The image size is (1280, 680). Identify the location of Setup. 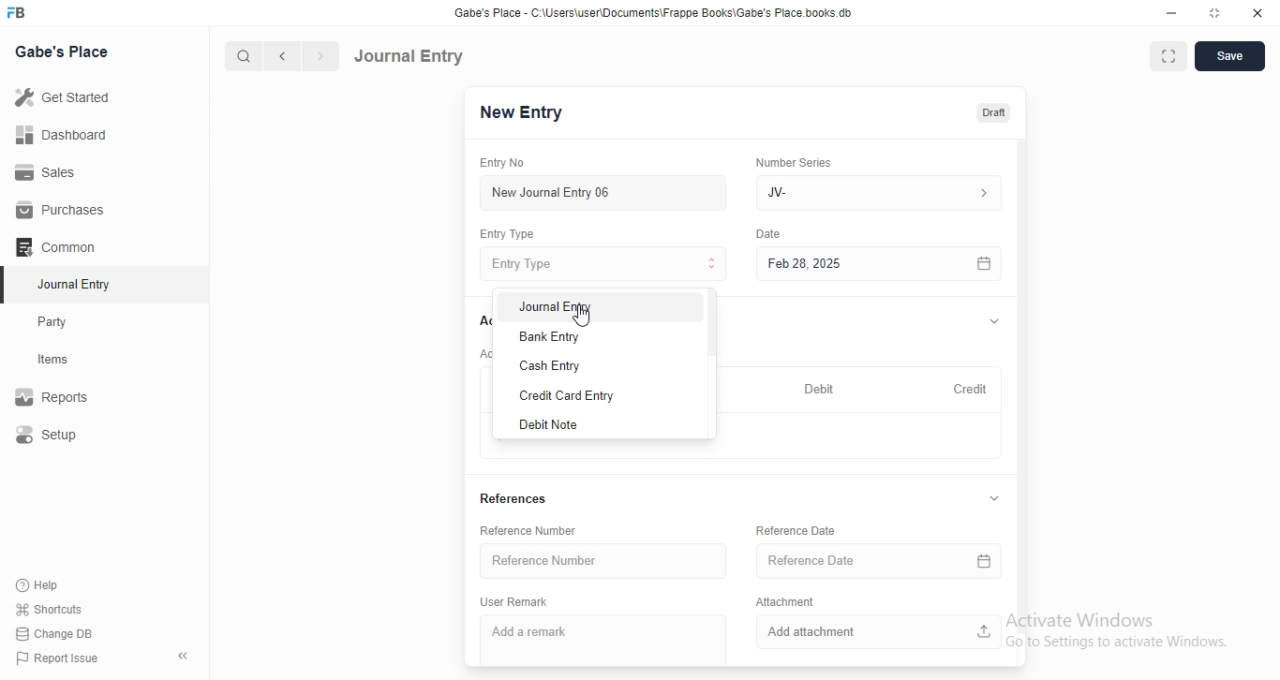
(66, 436).